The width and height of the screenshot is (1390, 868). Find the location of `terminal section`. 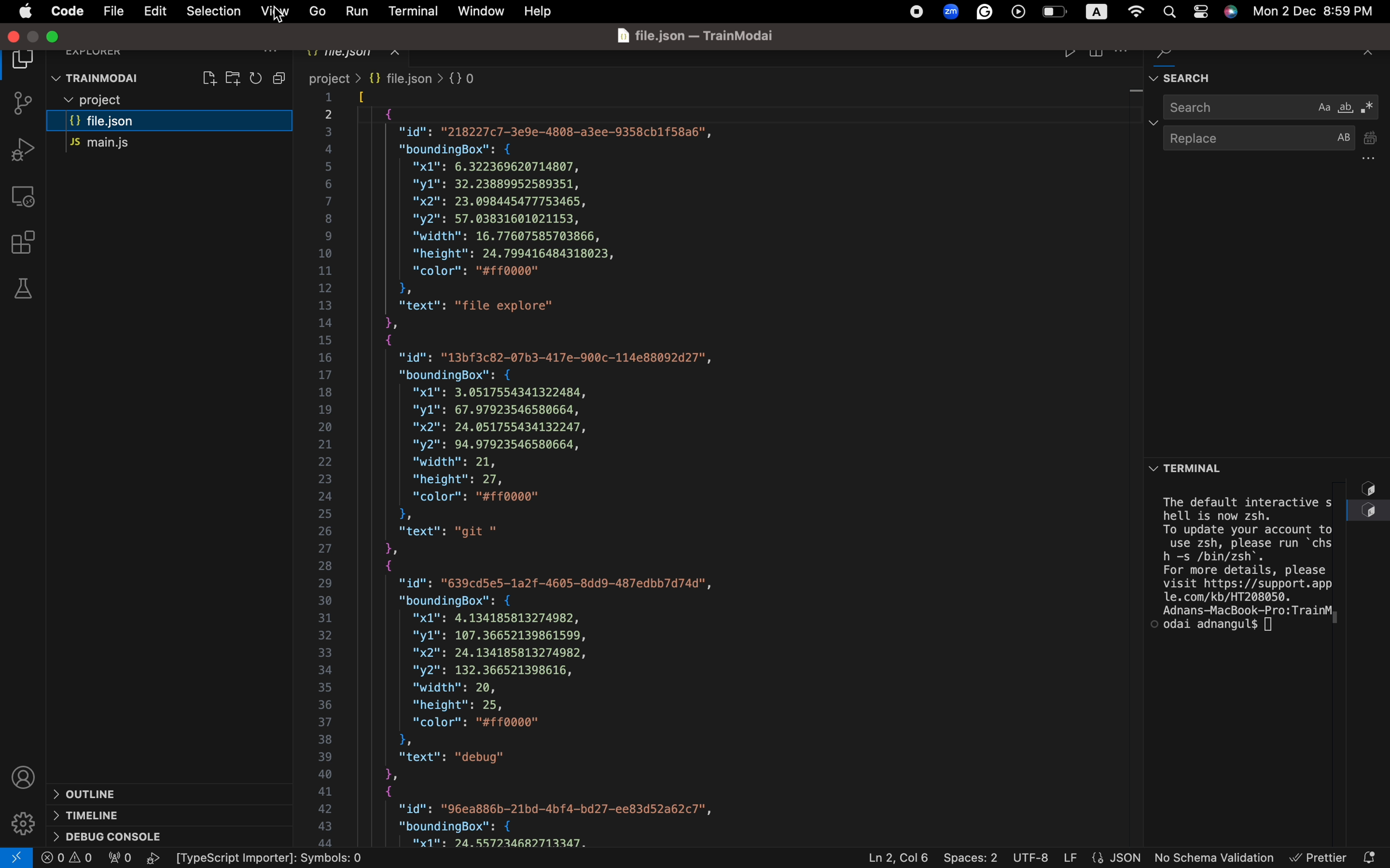

terminal section is located at coordinates (1269, 661).